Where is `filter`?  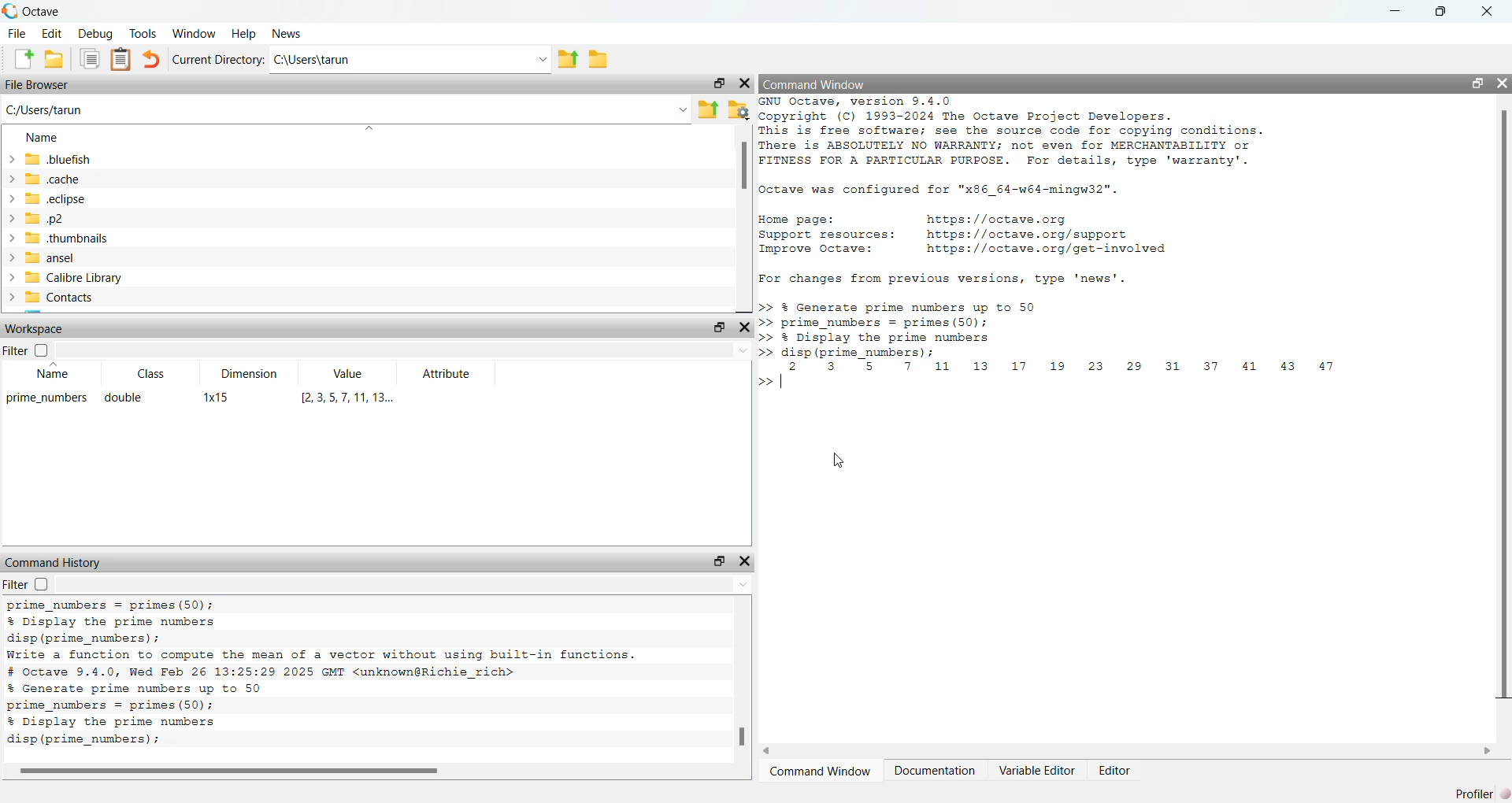 filter is located at coordinates (27, 584).